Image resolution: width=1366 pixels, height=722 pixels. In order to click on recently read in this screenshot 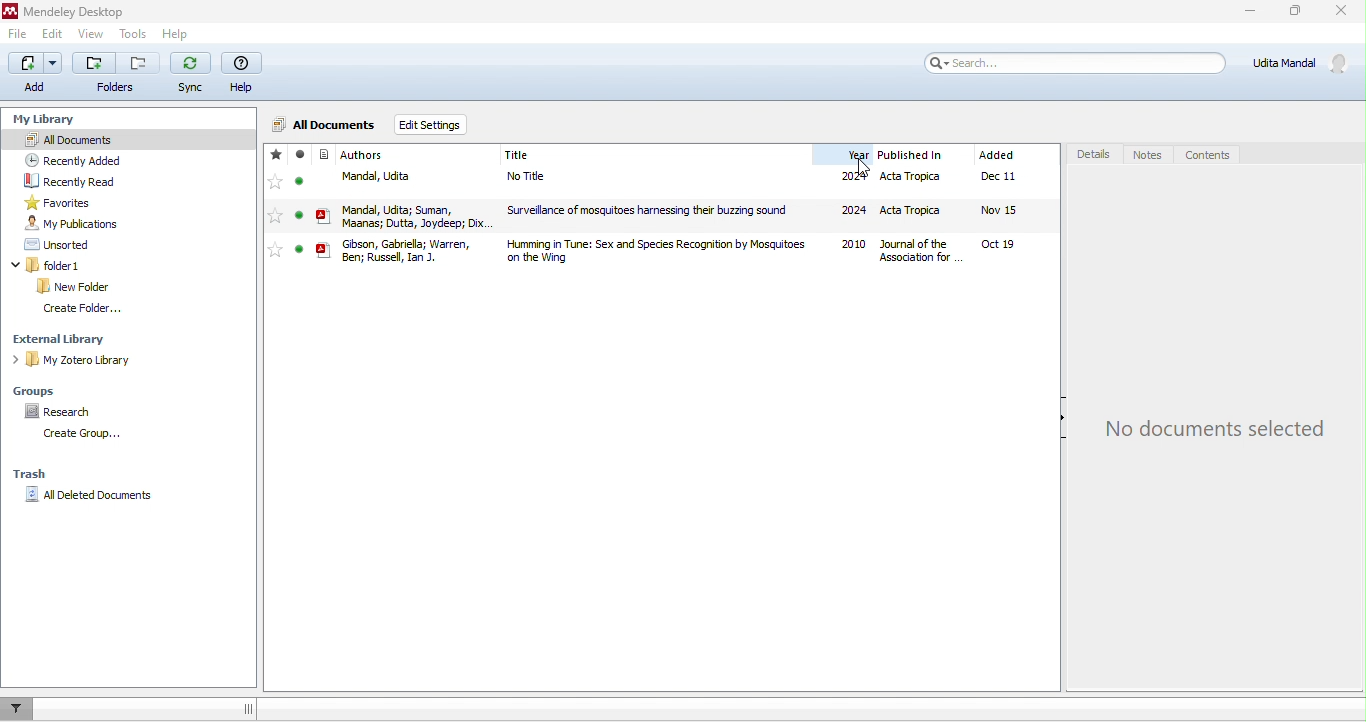, I will do `click(61, 180)`.